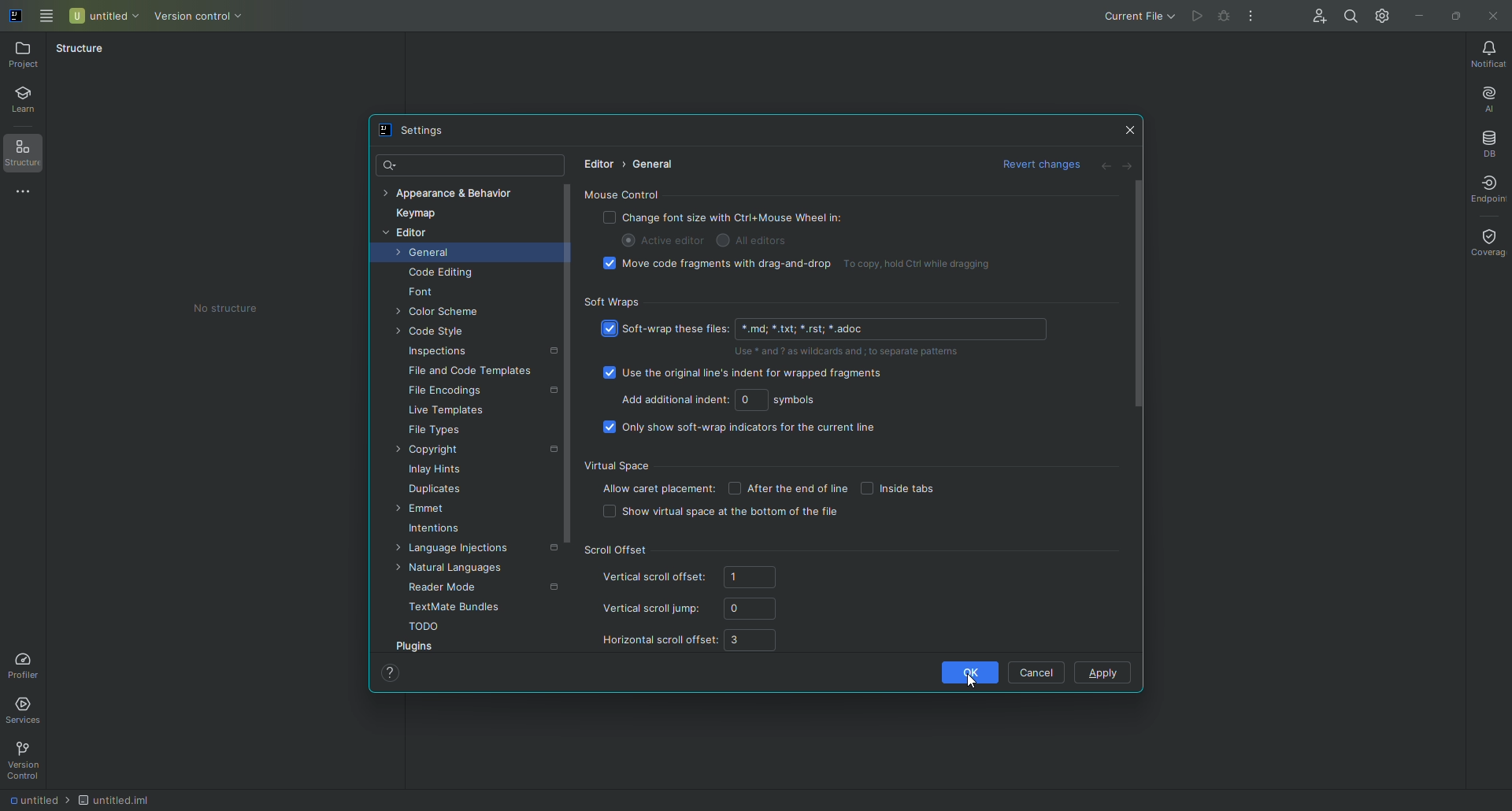 The width and height of the screenshot is (1512, 811). Describe the element at coordinates (204, 17) in the screenshot. I see `Version control` at that location.